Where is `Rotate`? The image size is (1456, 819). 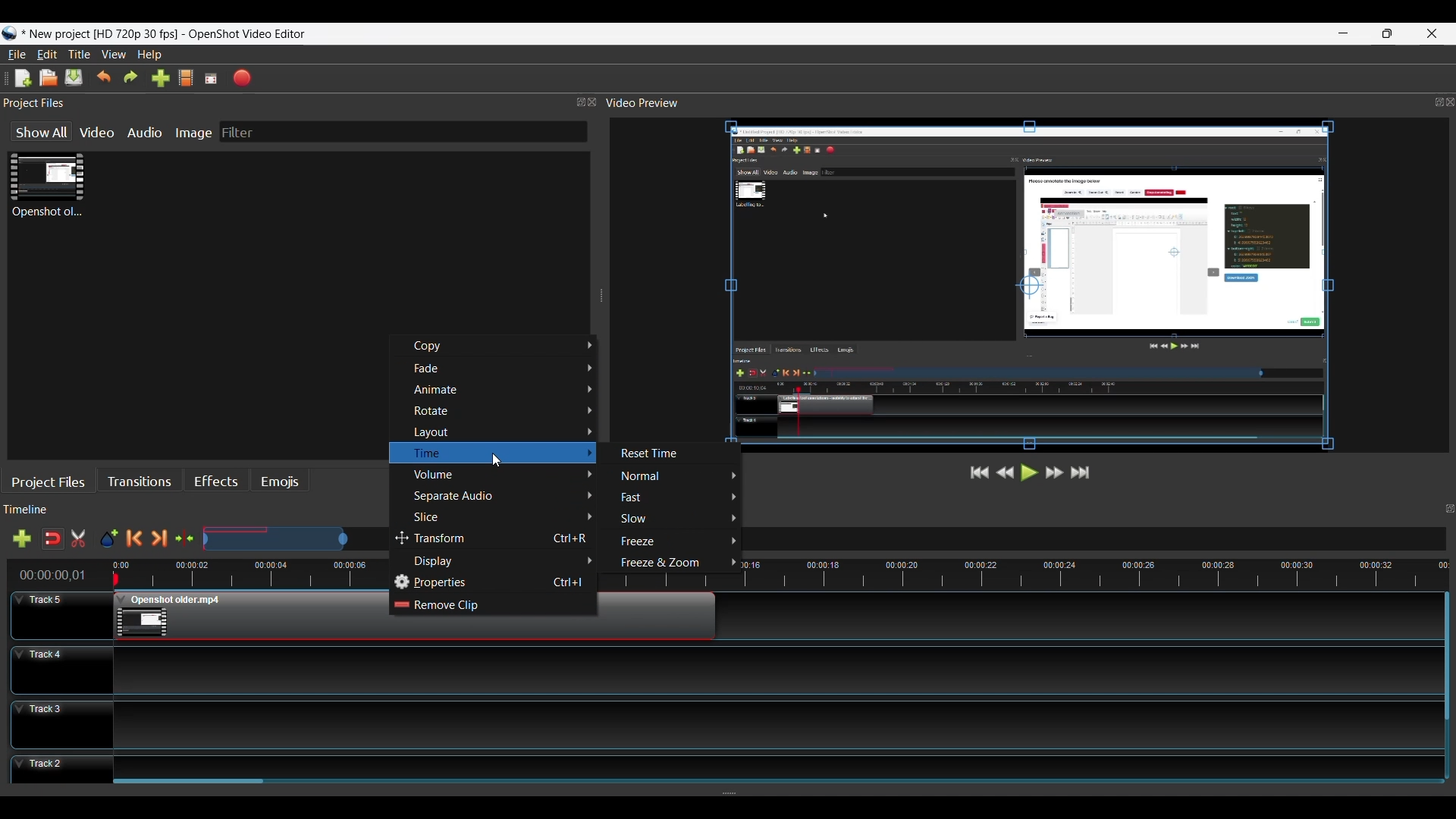 Rotate is located at coordinates (503, 412).